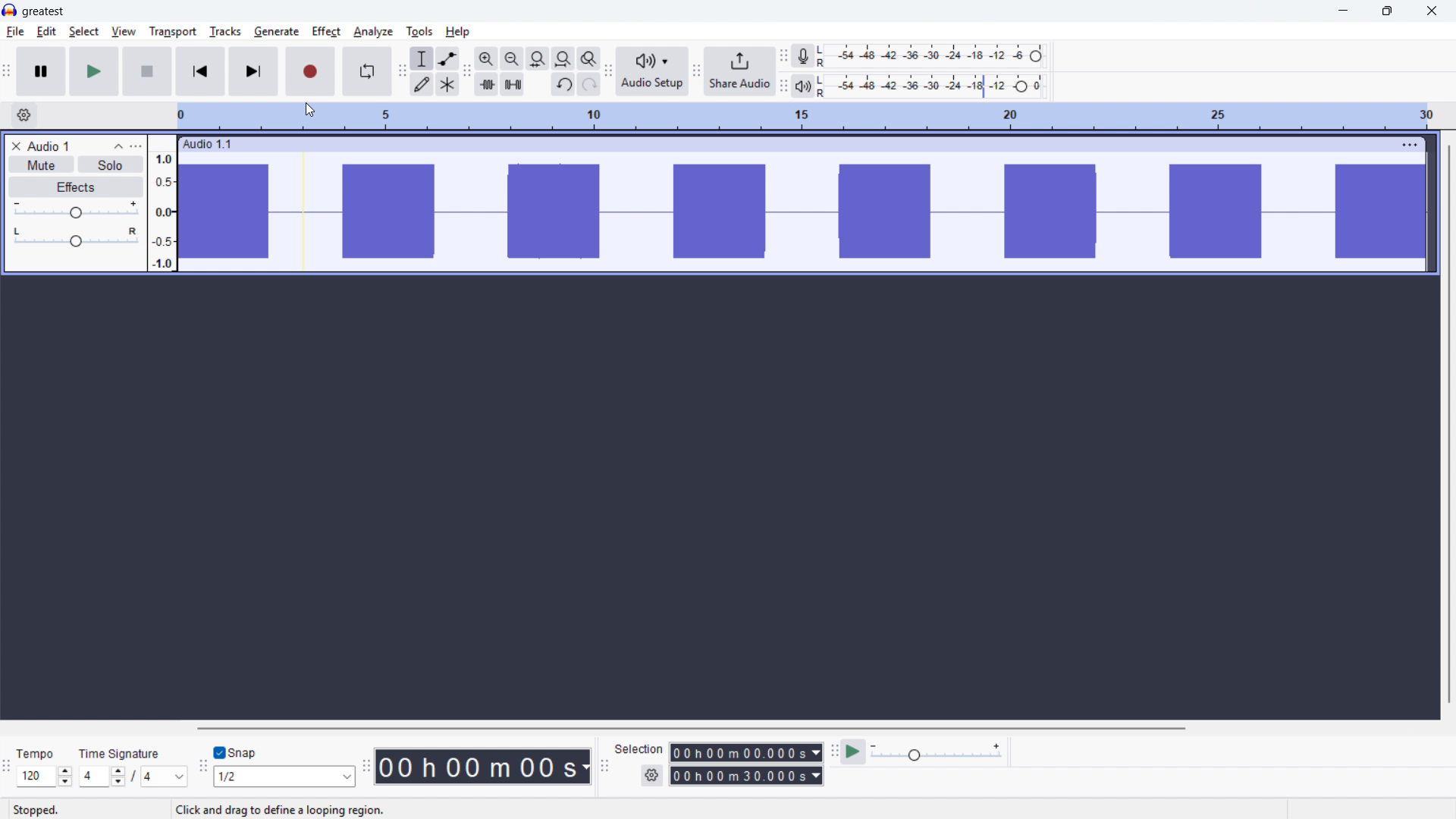  What do you see at coordinates (47, 32) in the screenshot?
I see `edit` at bounding box center [47, 32].